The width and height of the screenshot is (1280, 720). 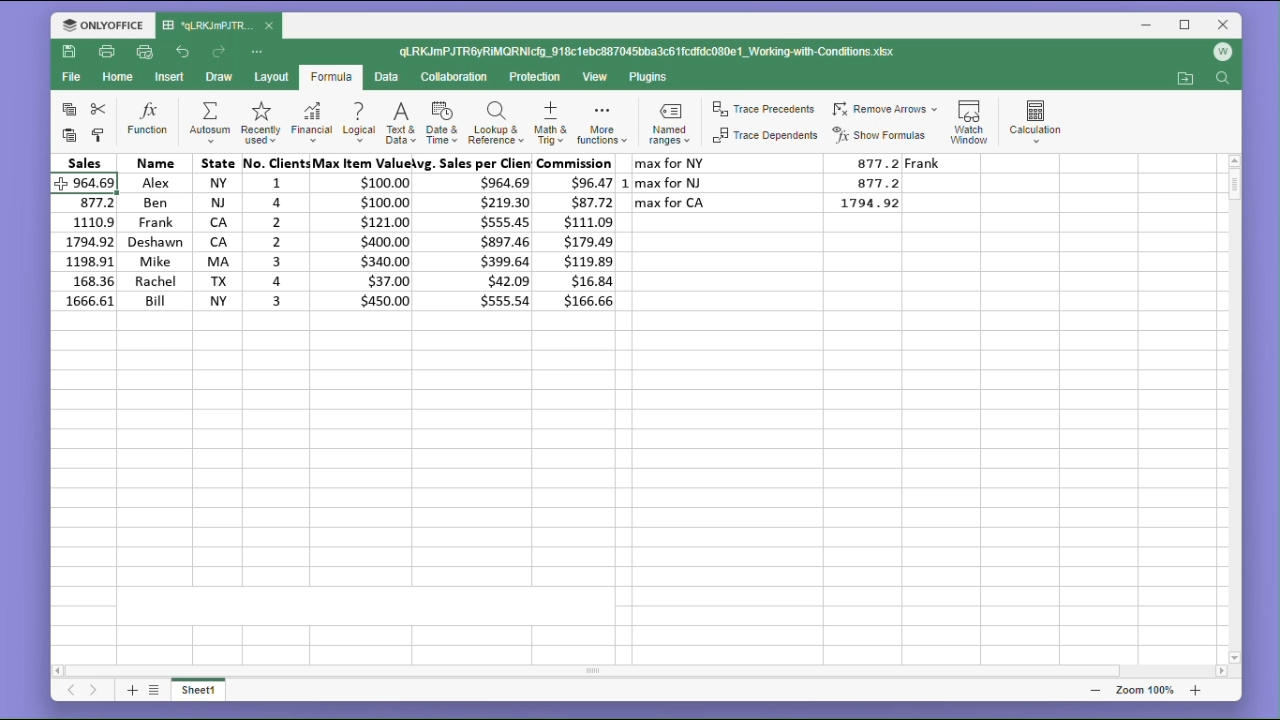 What do you see at coordinates (100, 134) in the screenshot?
I see `format painter` at bounding box center [100, 134].